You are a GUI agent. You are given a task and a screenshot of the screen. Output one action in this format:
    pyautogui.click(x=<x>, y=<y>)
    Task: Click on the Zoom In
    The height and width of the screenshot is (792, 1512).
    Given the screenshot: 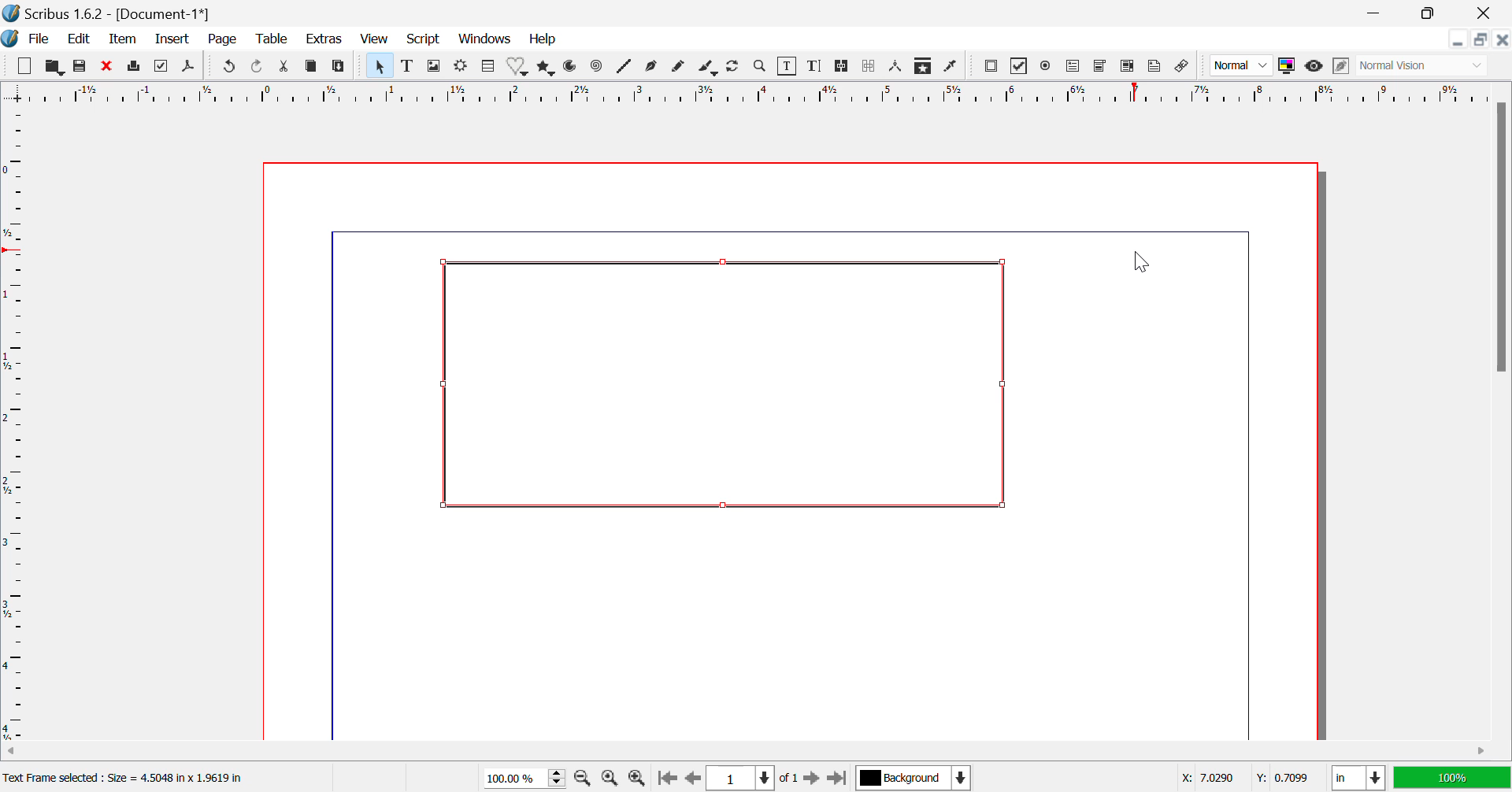 What is the action you would take?
    pyautogui.click(x=636, y=779)
    